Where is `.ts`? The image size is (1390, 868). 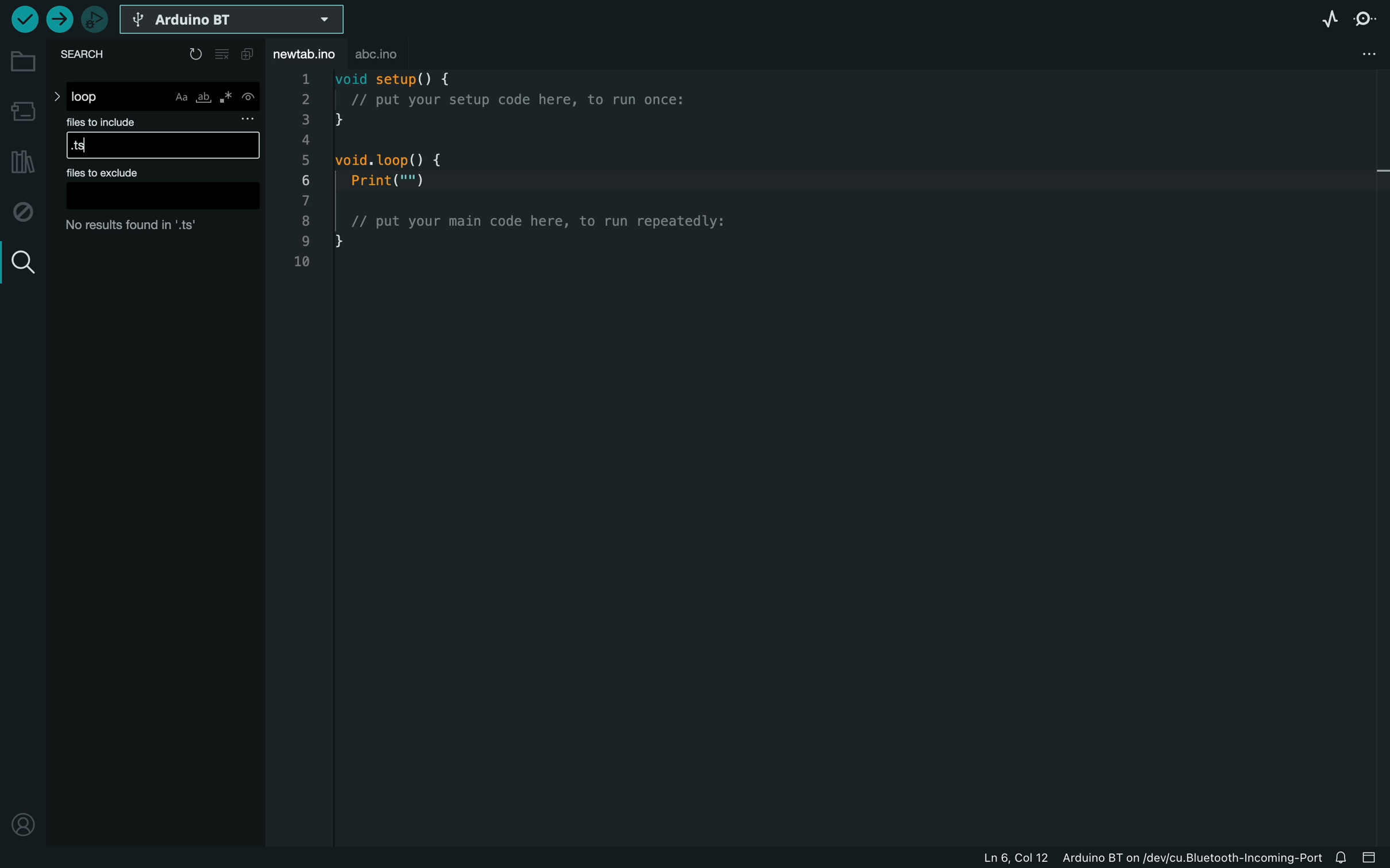
.ts is located at coordinates (164, 145).